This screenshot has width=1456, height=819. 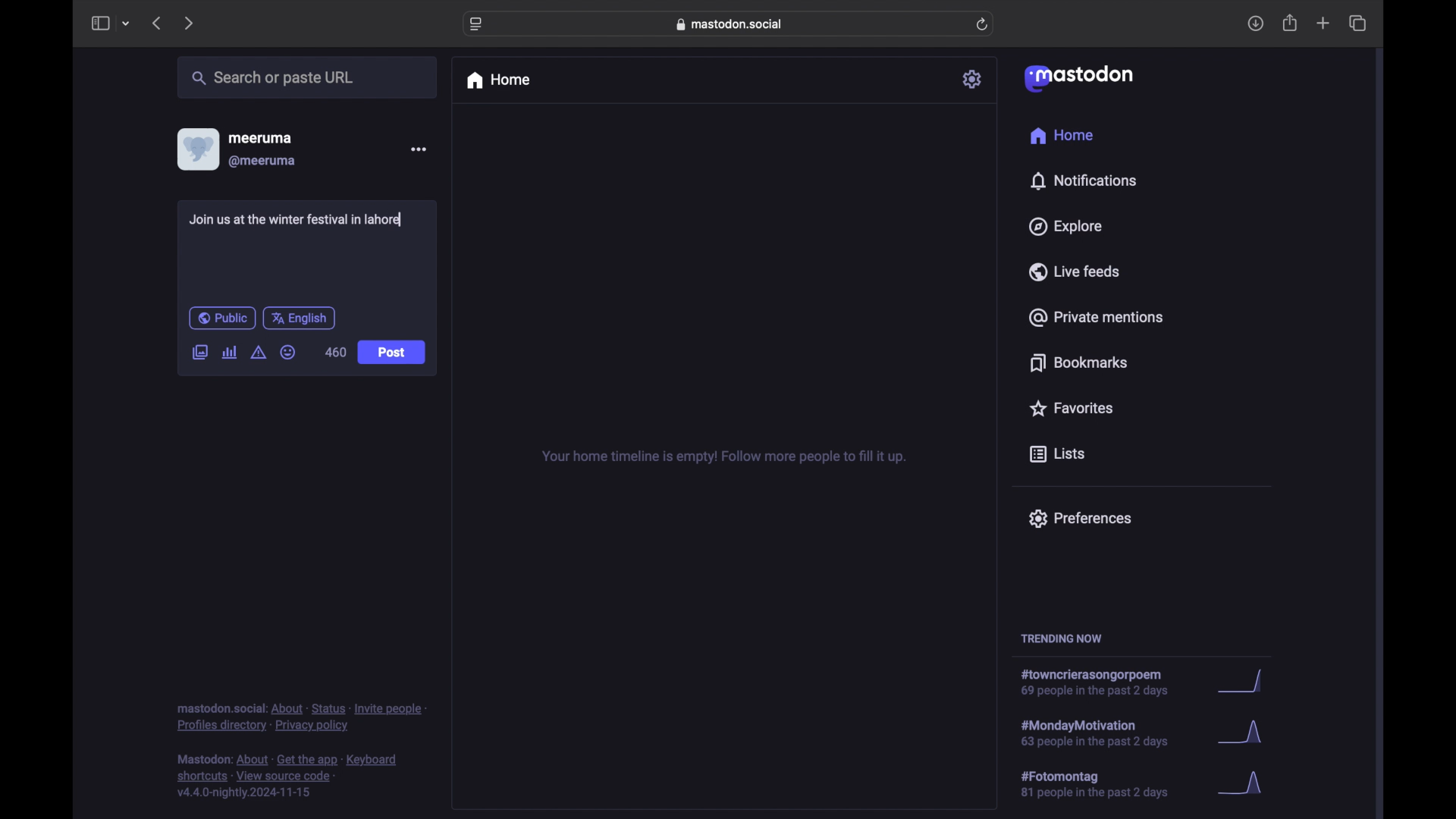 I want to click on website settings, so click(x=478, y=24).